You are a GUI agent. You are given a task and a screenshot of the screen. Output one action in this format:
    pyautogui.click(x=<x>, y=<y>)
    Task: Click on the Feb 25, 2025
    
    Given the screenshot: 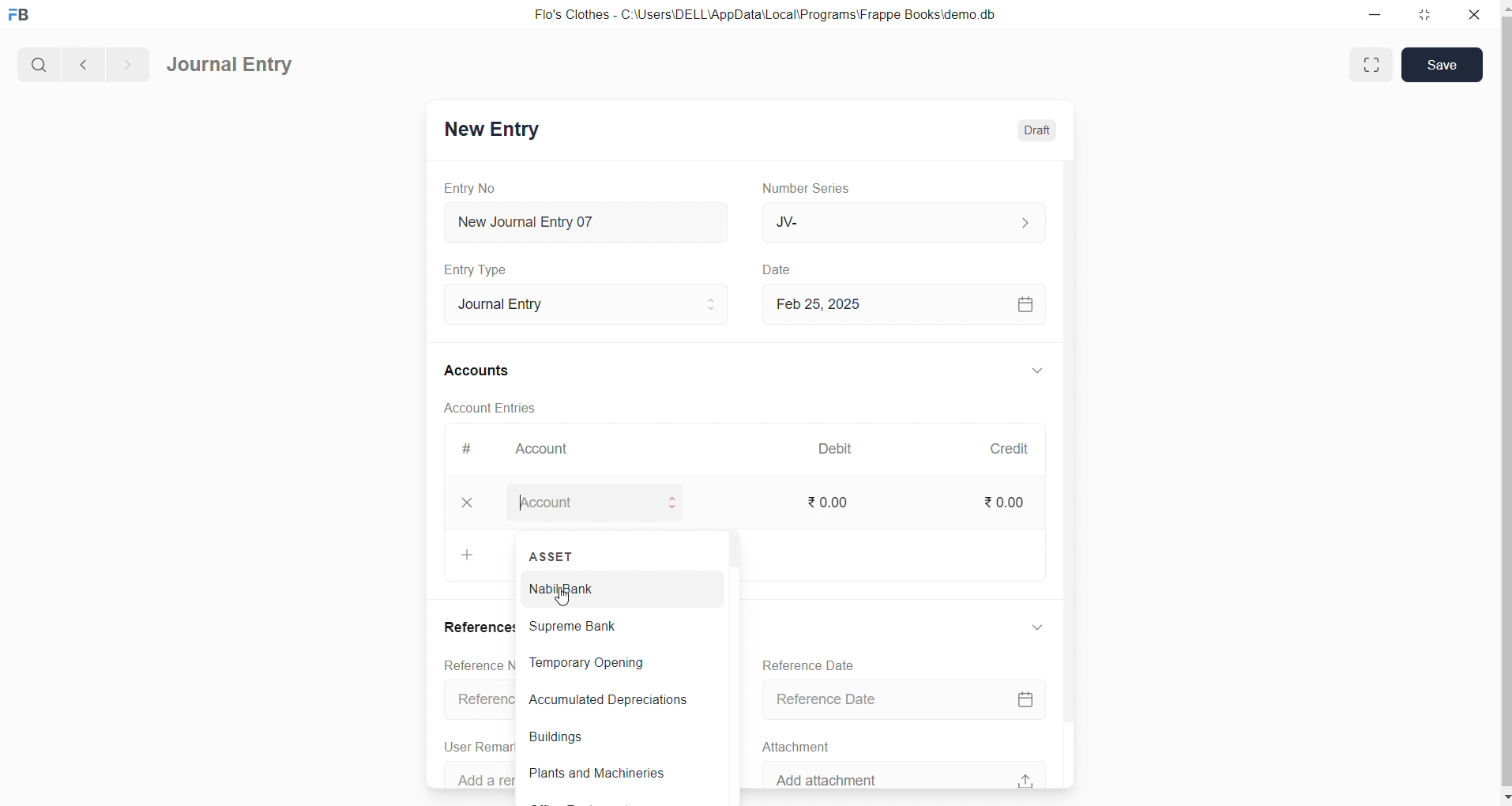 What is the action you would take?
    pyautogui.click(x=901, y=303)
    